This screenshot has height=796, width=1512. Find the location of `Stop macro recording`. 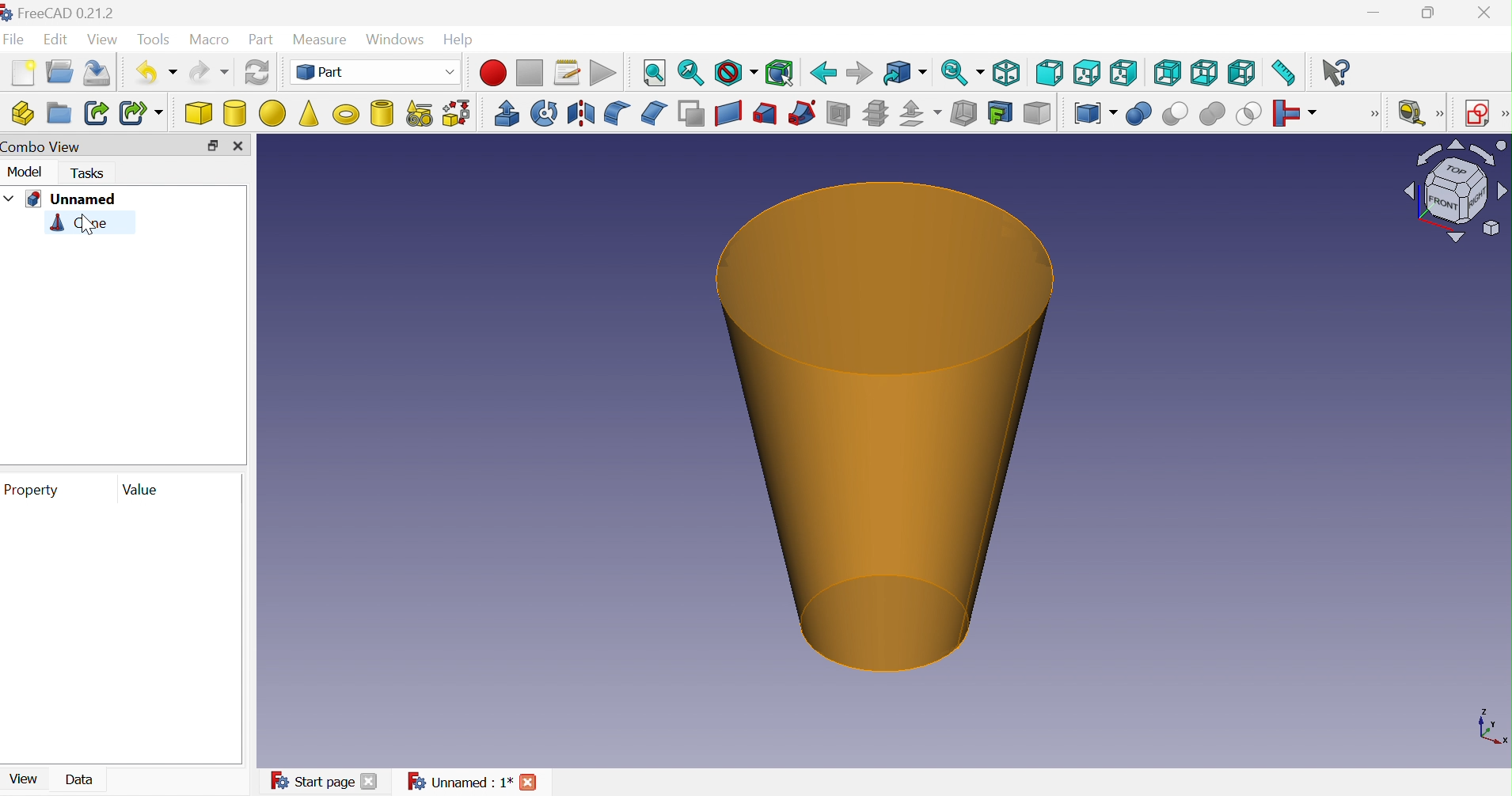

Stop macro recording is located at coordinates (530, 73).